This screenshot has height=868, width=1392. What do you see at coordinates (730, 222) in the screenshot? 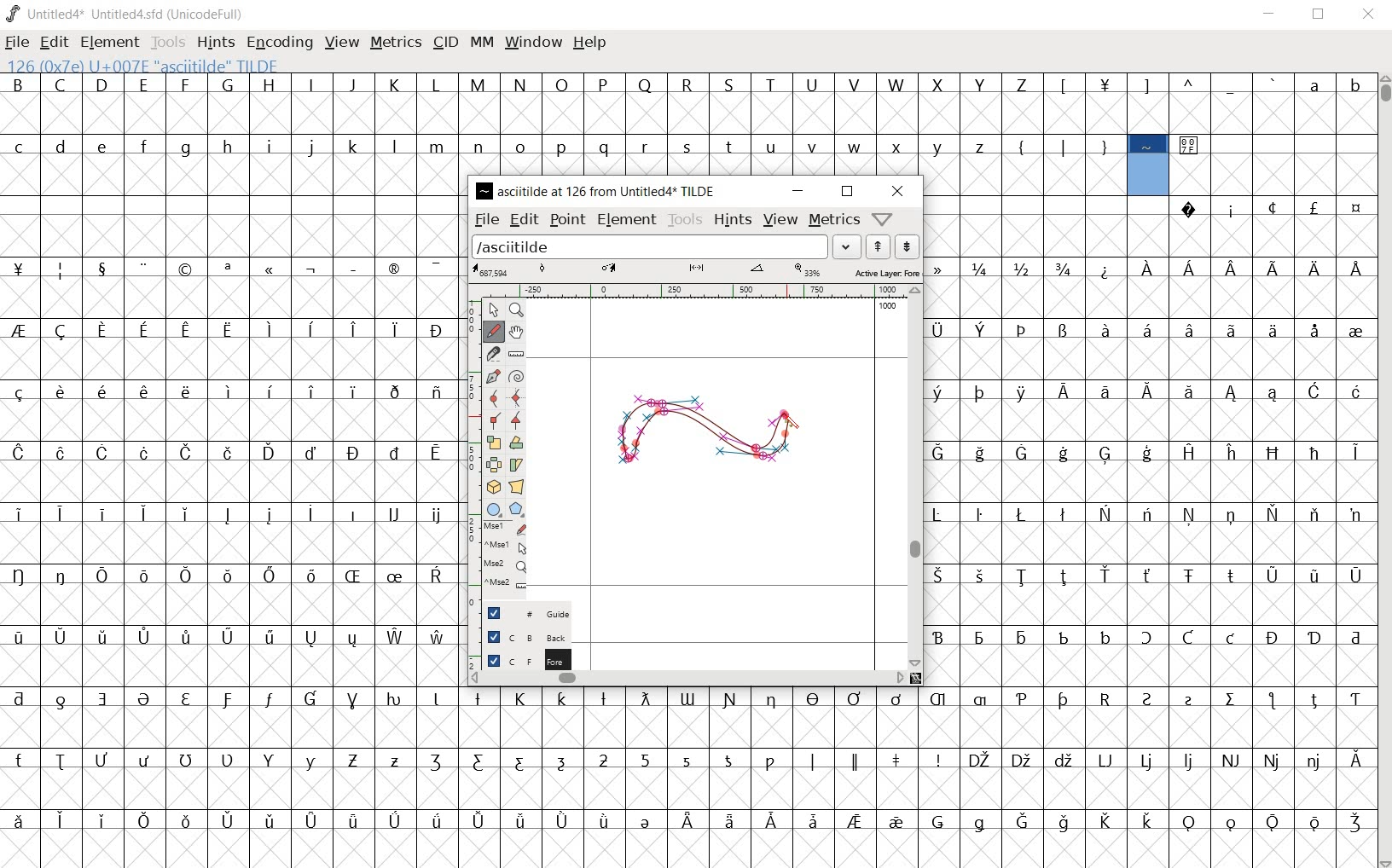
I see `hints` at bounding box center [730, 222].